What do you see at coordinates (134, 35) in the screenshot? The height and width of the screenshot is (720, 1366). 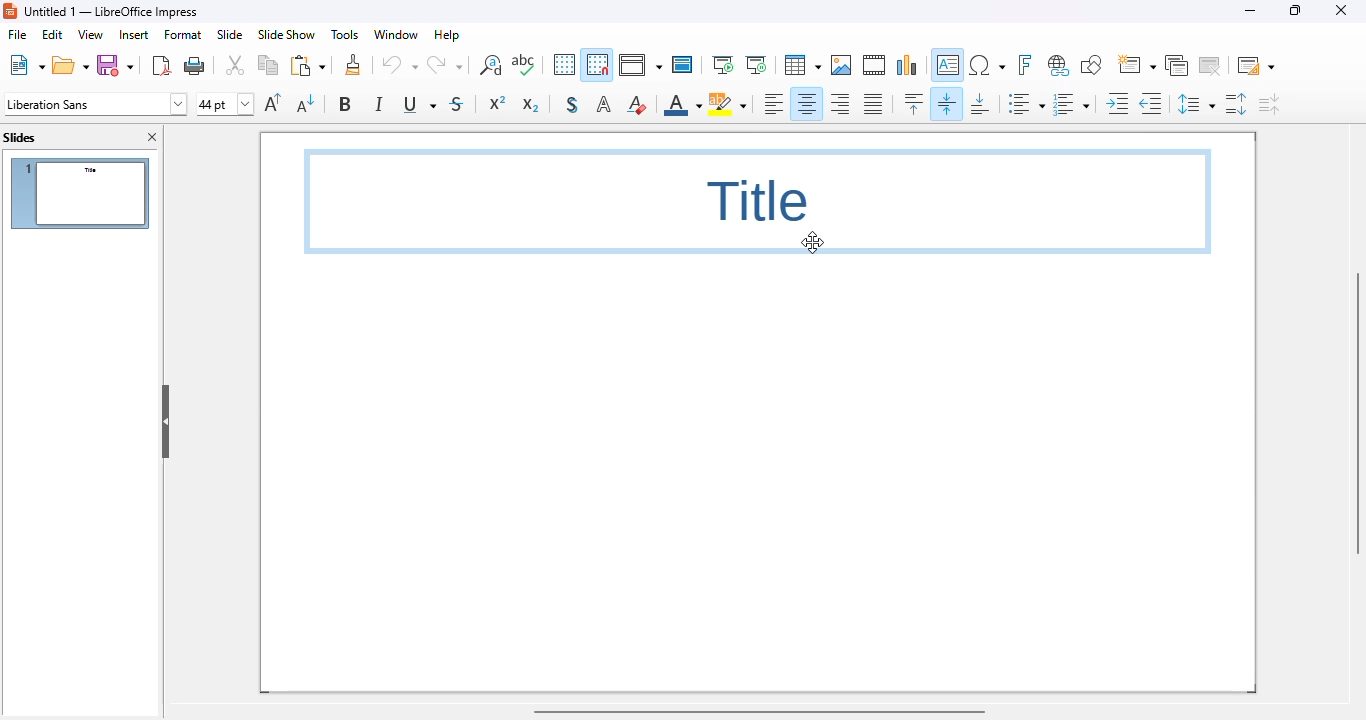 I see `insert` at bounding box center [134, 35].